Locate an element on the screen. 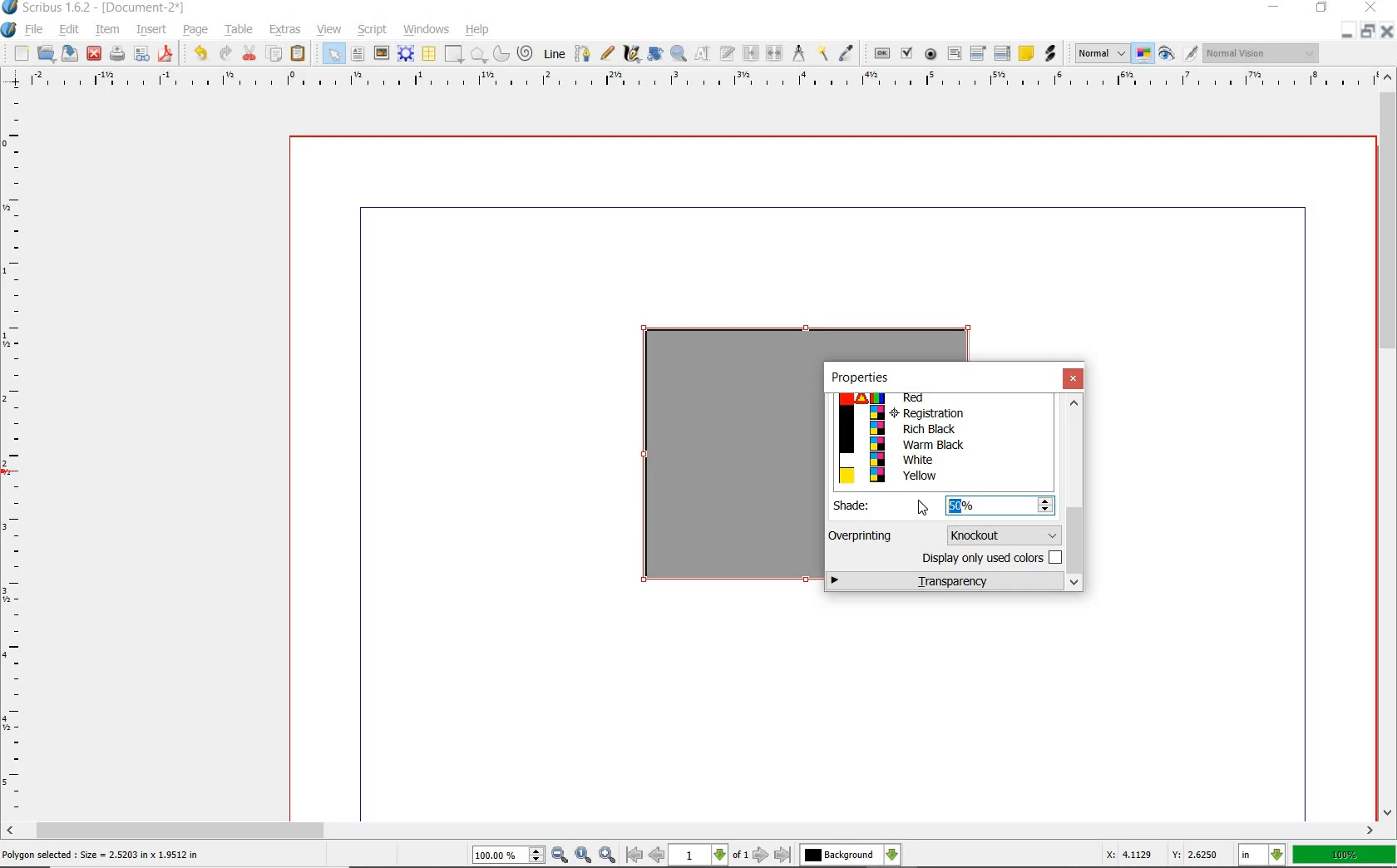 The height and width of the screenshot is (868, 1397). X: 4.1129 Y: 2.6250 is located at coordinates (1163, 854).